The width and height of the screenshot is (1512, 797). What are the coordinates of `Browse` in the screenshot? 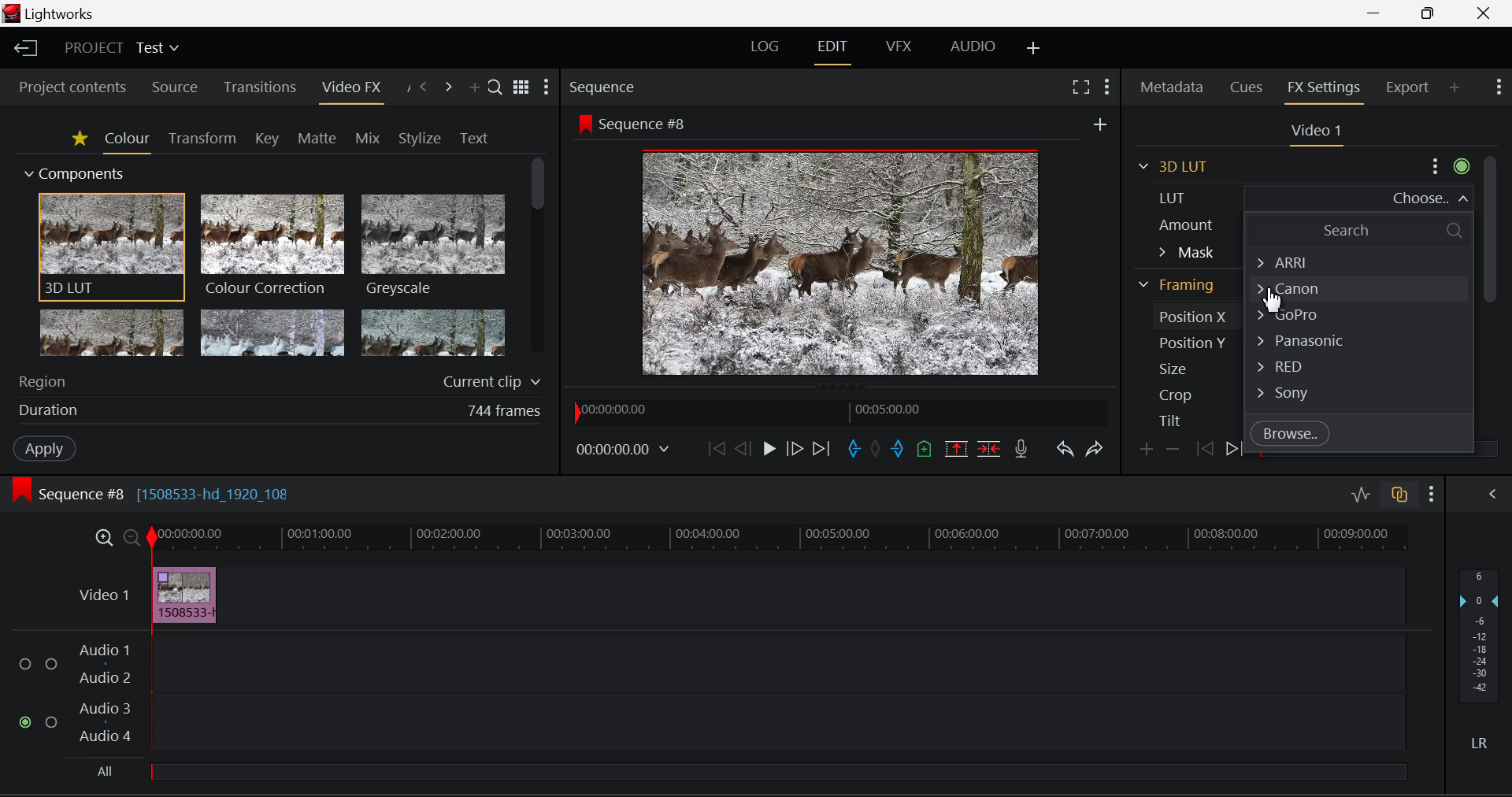 It's located at (1293, 434).